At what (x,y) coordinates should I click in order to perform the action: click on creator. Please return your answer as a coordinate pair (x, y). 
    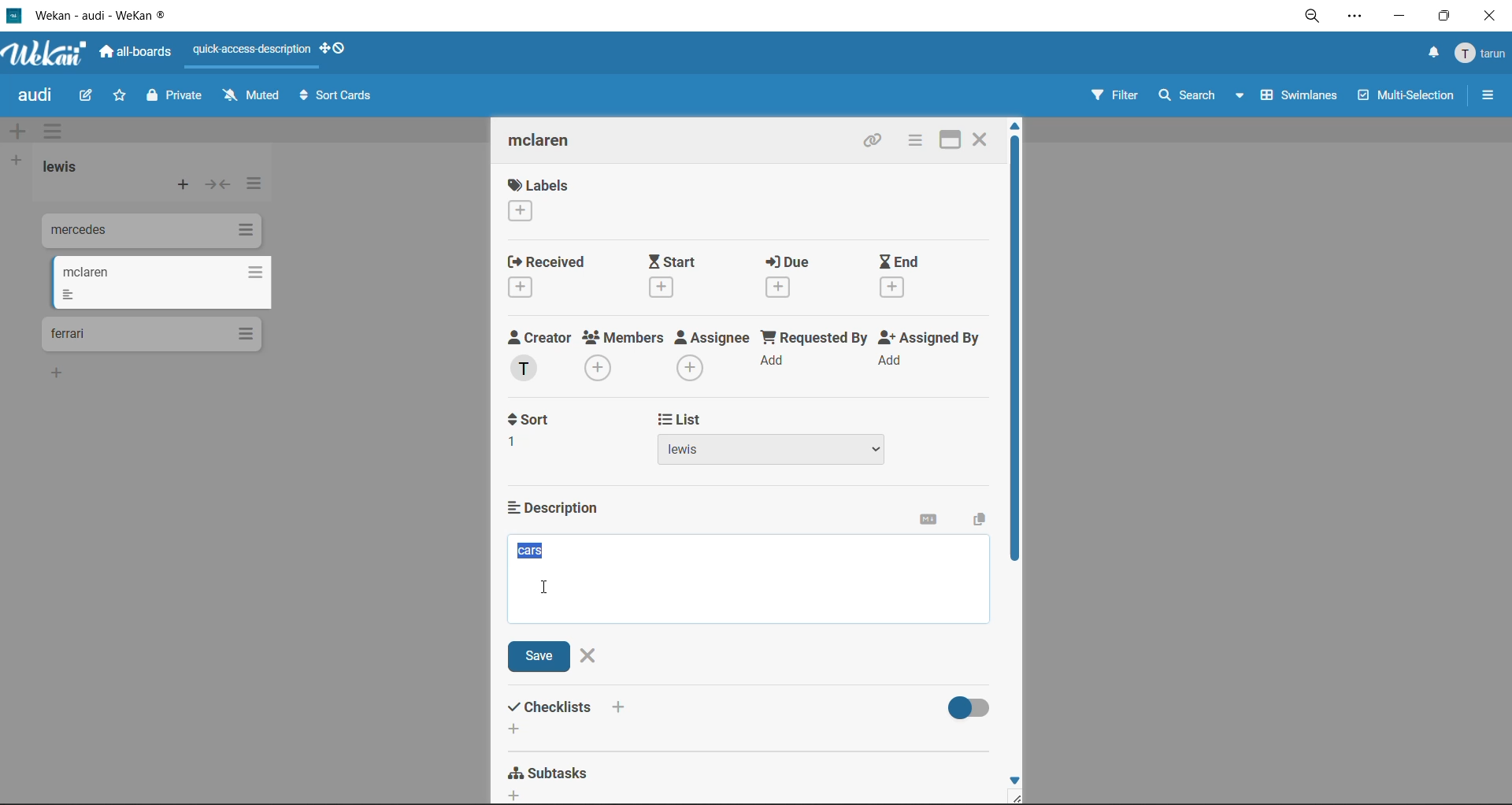
    Looking at the image, I should click on (543, 356).